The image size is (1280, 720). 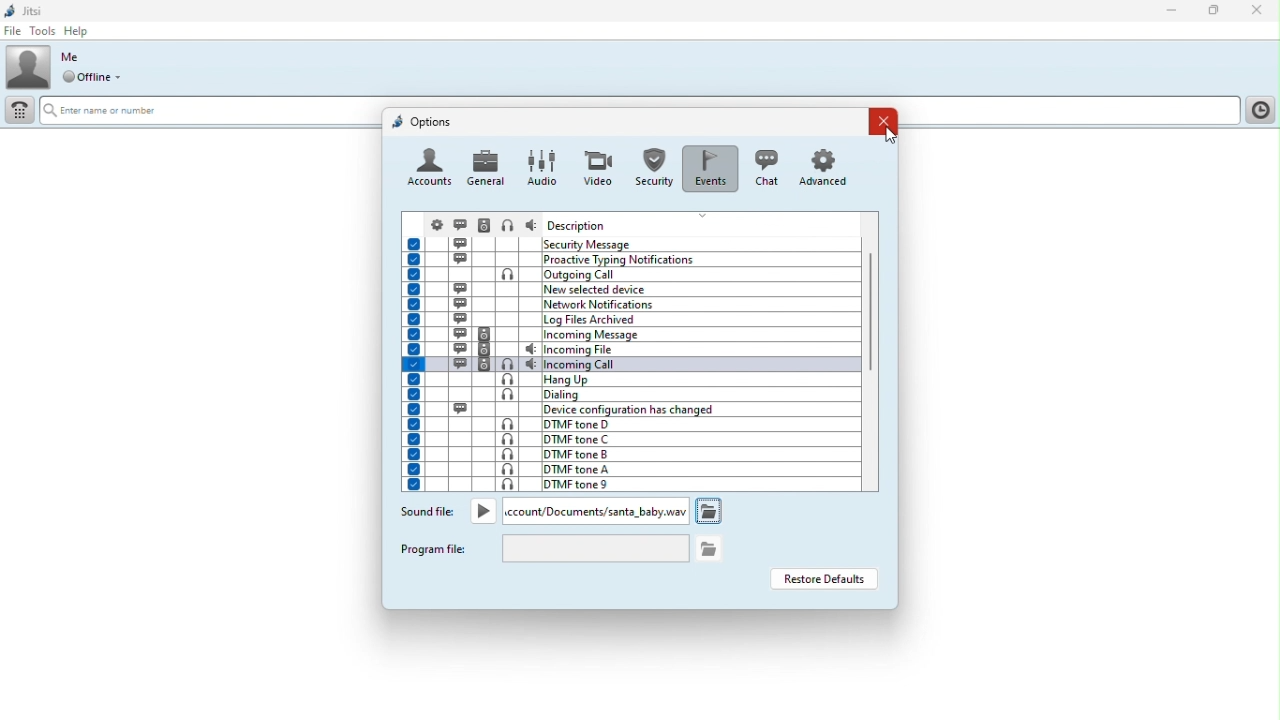 I want to click on cursor, so click(x=889, y=139).